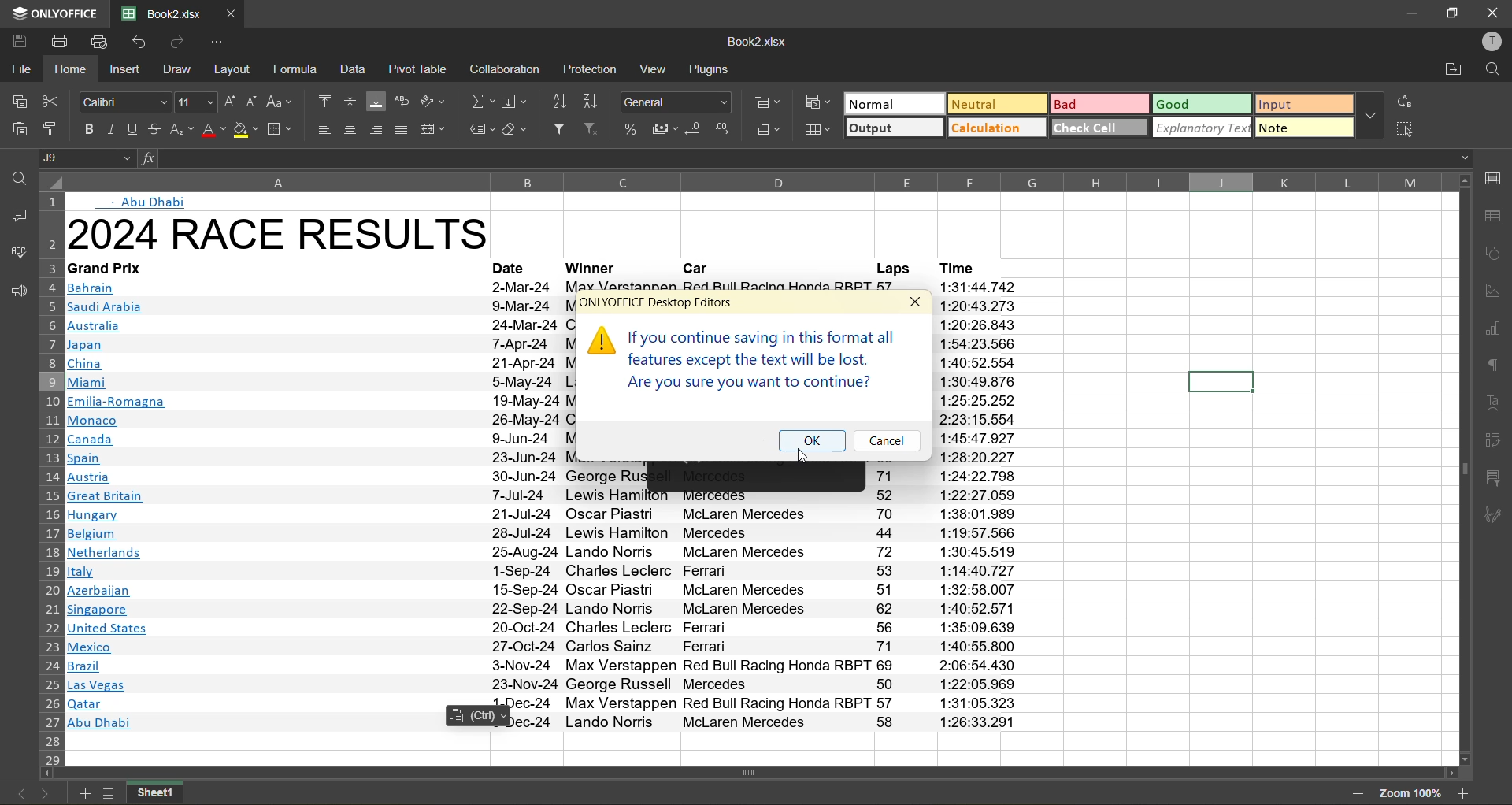 This screenshot has width=1512, height=805. Describe the element at coordinates (89, 158) in the screenshot. I see `cell address` at that location.